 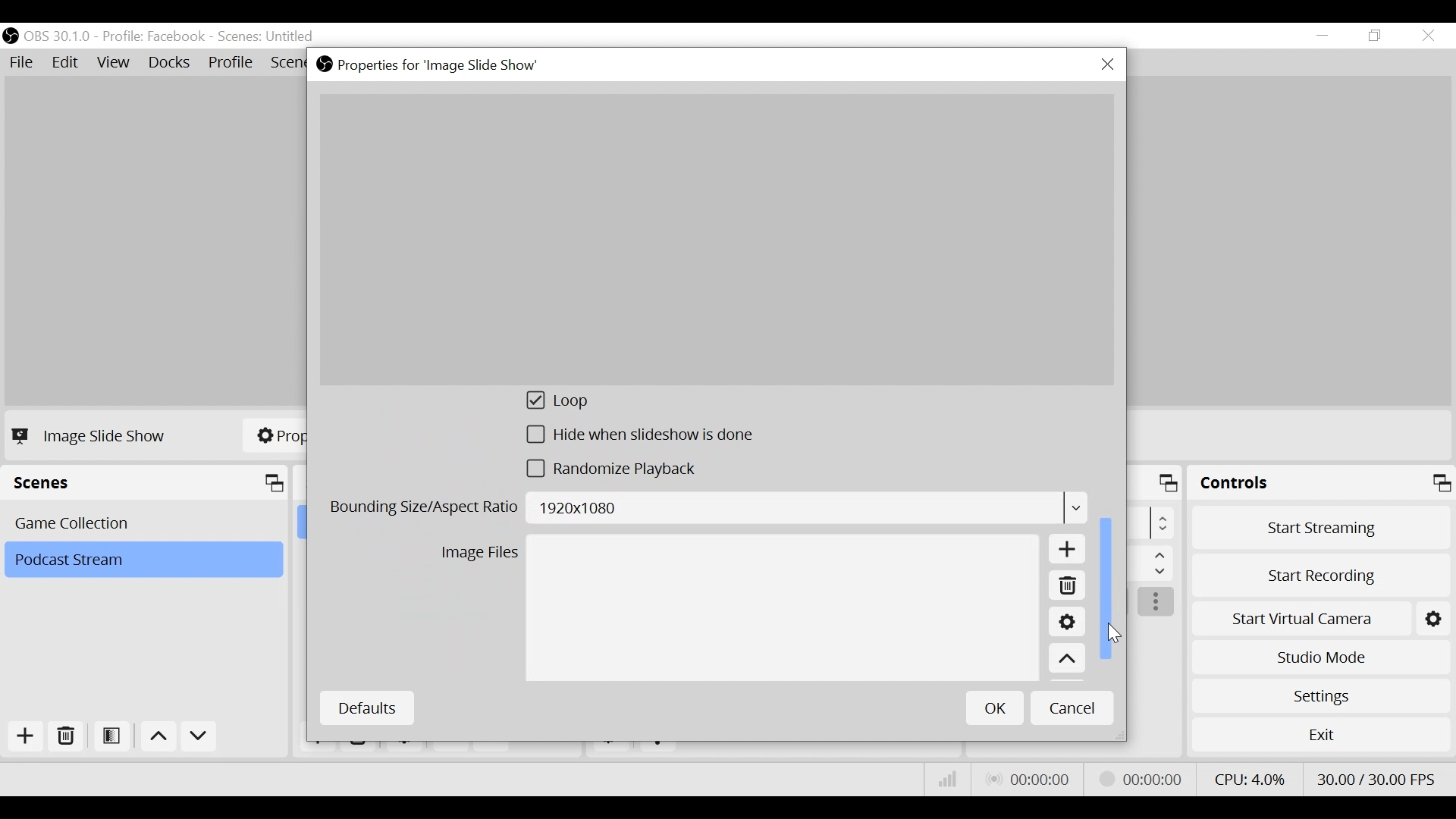 What do you see at coordinates (707, 508) in the screenshot?
I see `Bounding Size` at bounding box center [707, 508].